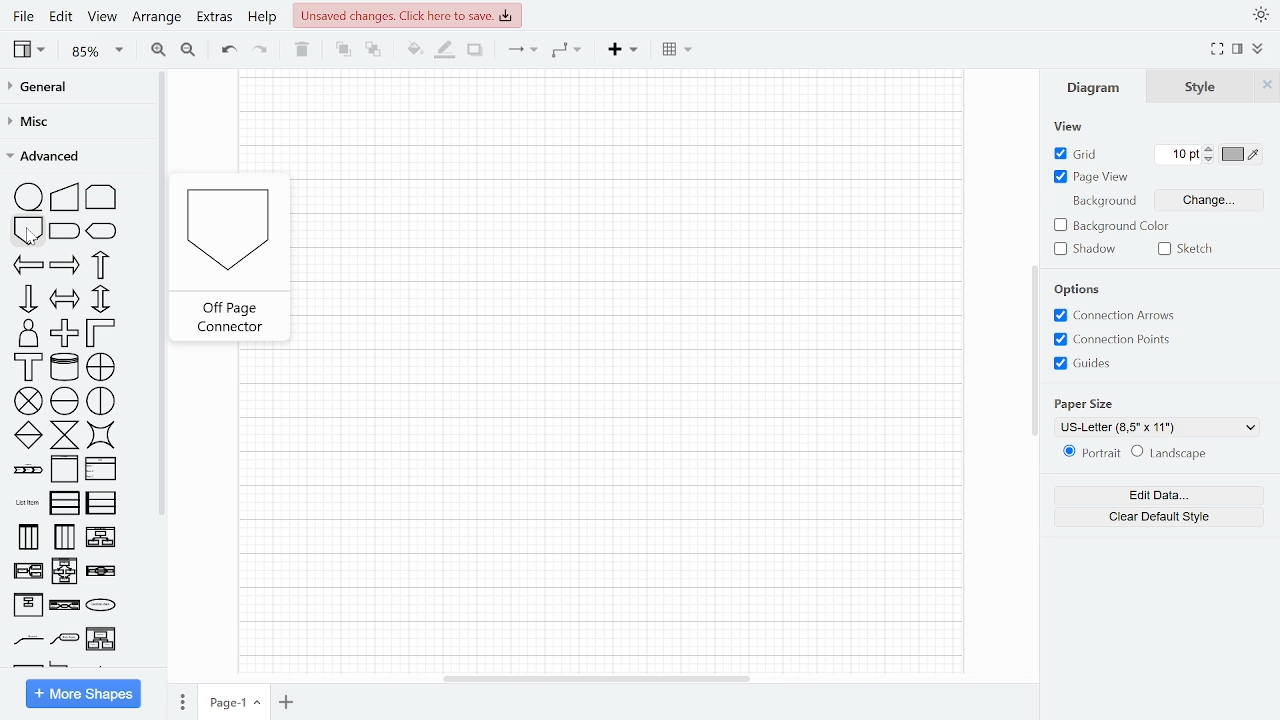 Image resolution: width=1280 pixels, height=720 pixels. What do you see at coordinates (28, 231) in the screenshot?
I see `off page connector` at bounding box center [28, 231].